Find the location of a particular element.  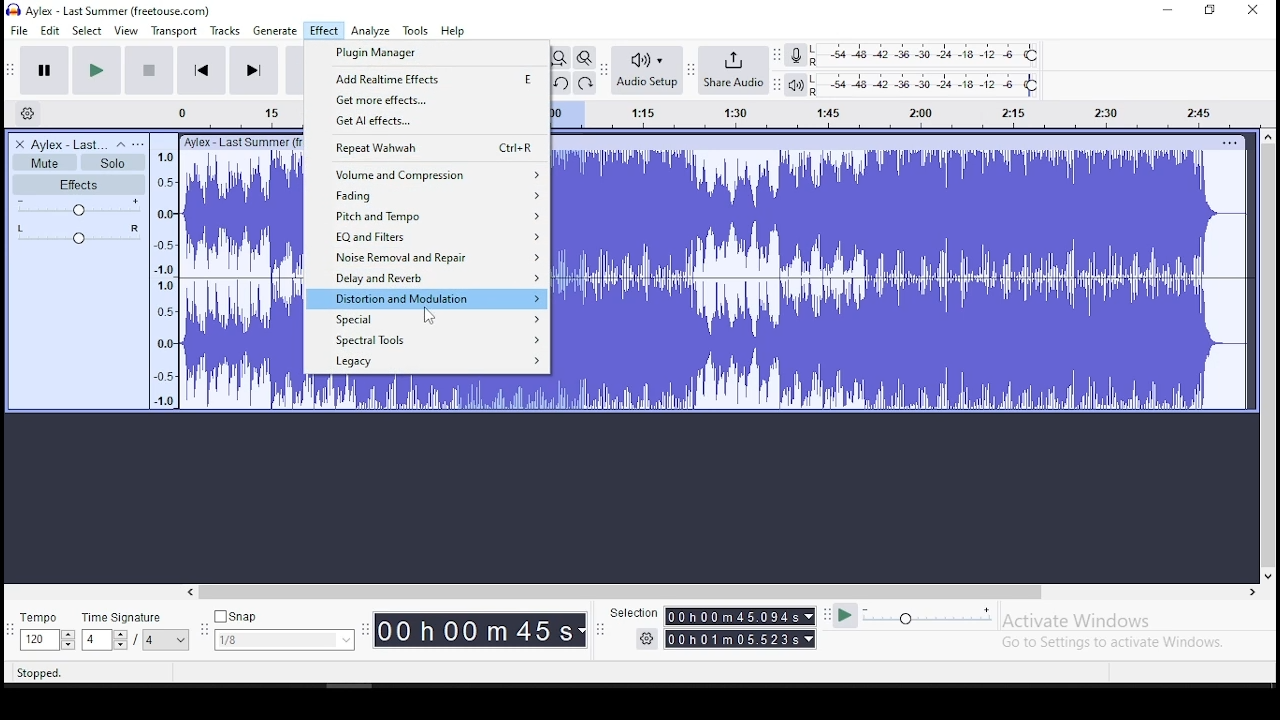

scroll bar is located at coordinates (1268, 356).